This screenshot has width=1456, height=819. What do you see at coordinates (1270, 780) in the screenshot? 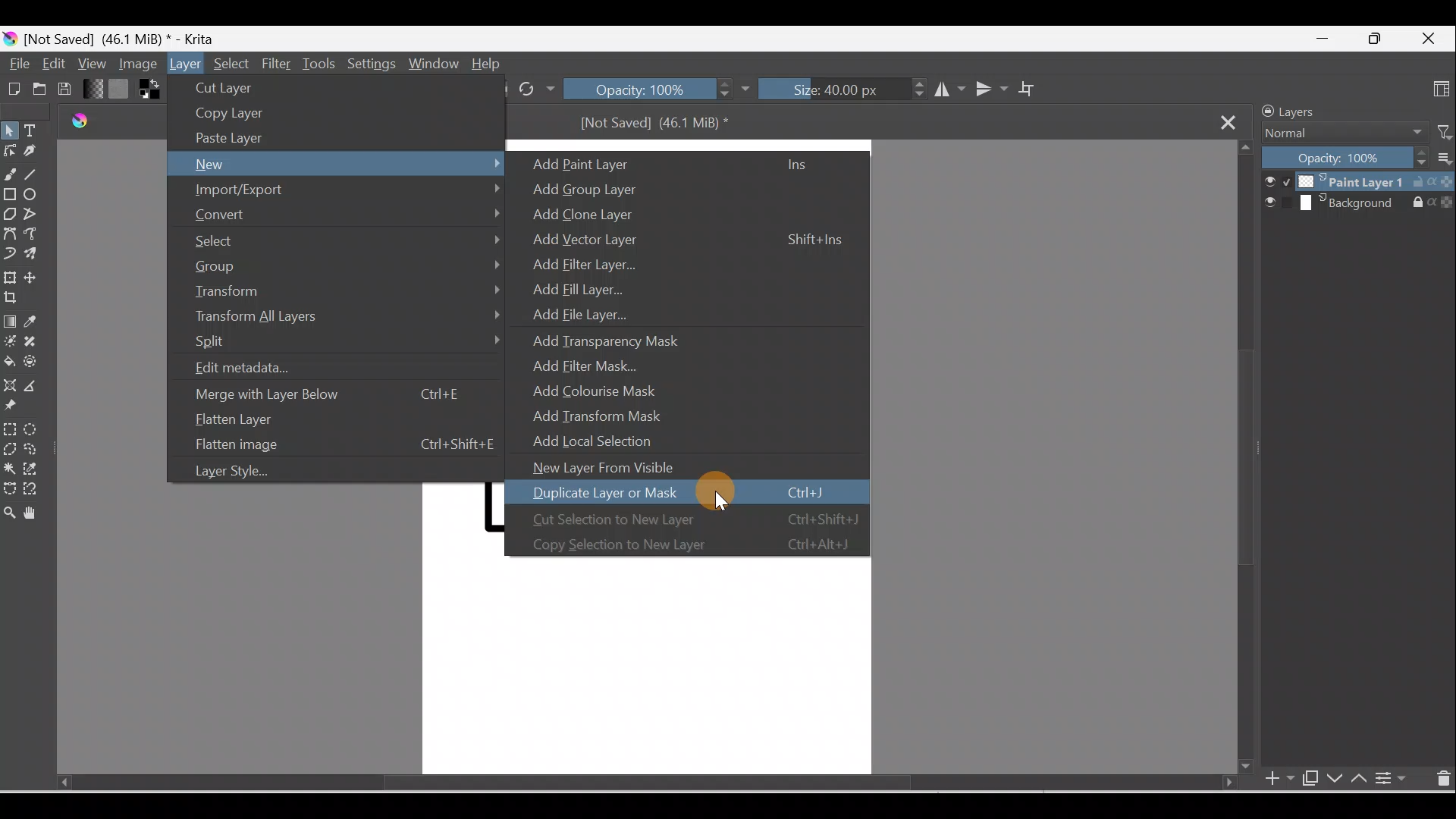
I see `Add layer` at bounding box center [1270, 780].